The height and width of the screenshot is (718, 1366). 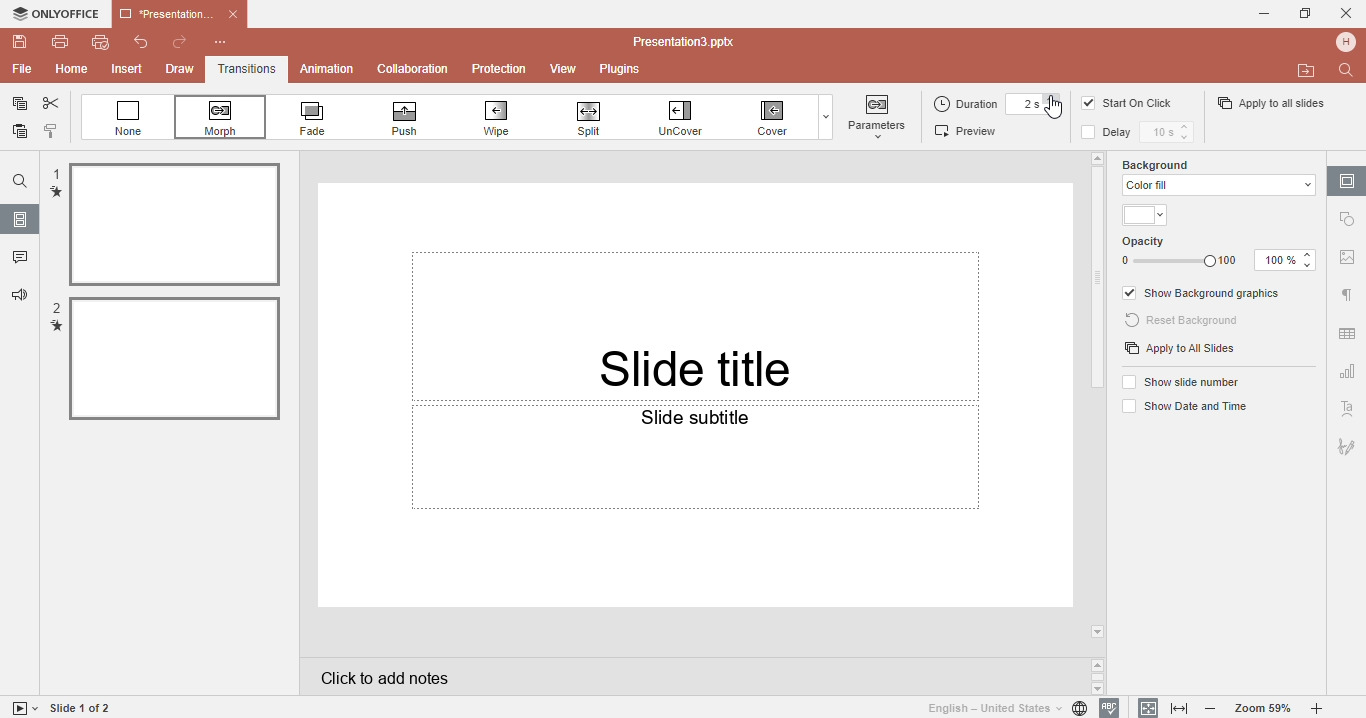 What do you see at coordinates (1215, 710) in the screenshot?
I see `Zoom out` at bounding box center [1215, 710].